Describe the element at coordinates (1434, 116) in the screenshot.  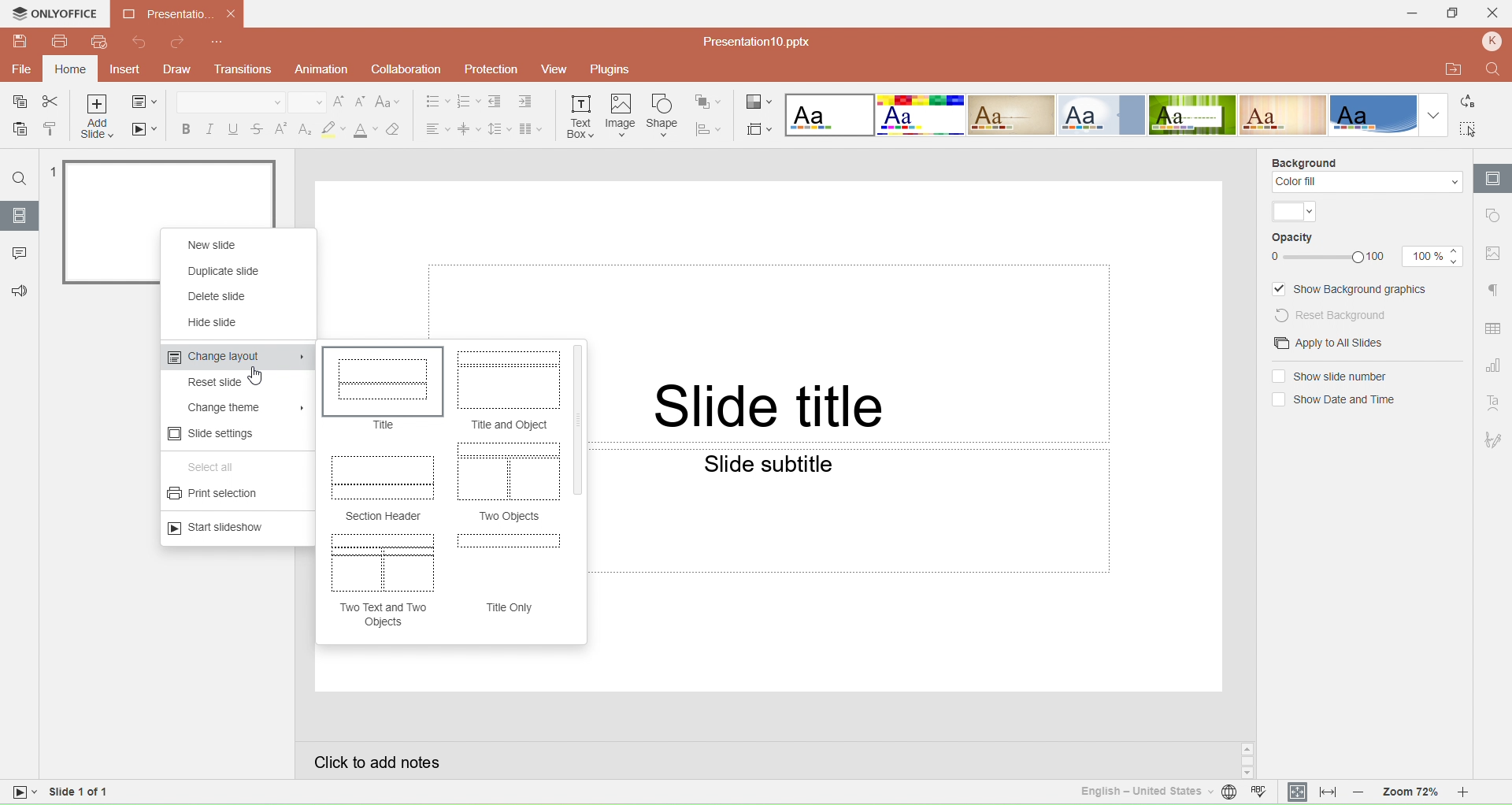
I see `Dropdown` at that location.